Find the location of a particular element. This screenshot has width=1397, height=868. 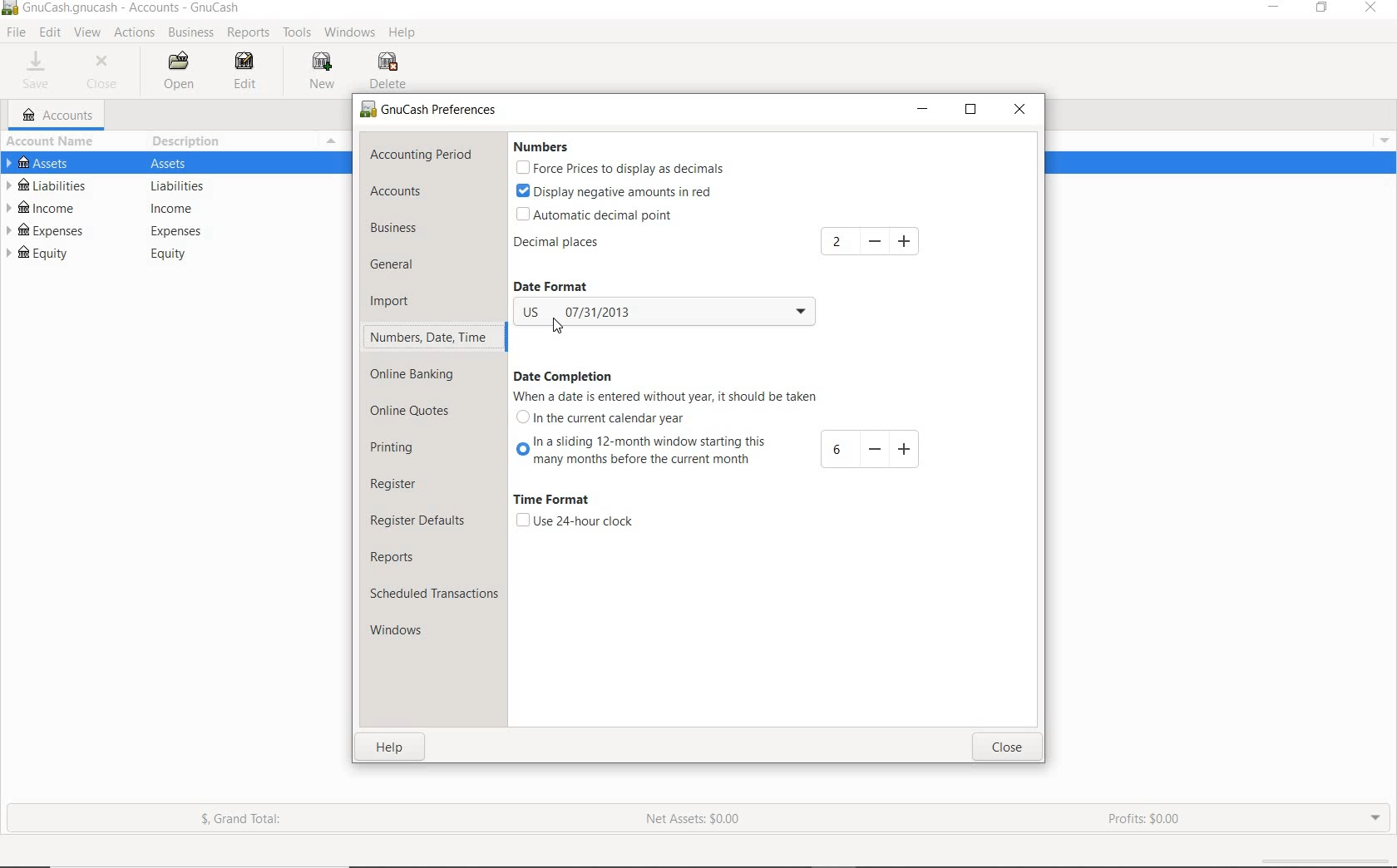

register is located at coordinates (395, 485).